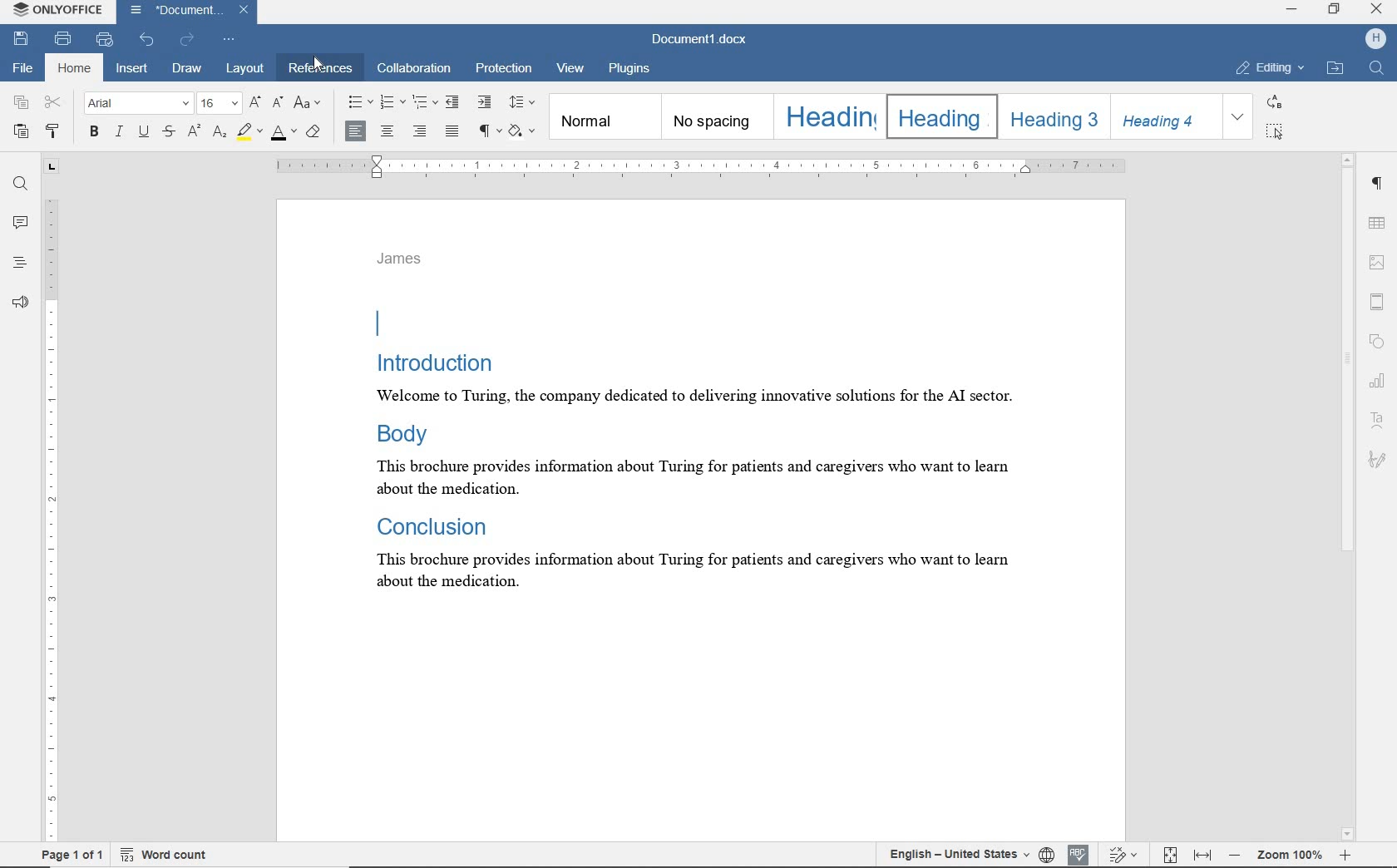 Image resolution: width=1397 pixels, height=868 pixels. I want to click on Normal, so click(604, 118).